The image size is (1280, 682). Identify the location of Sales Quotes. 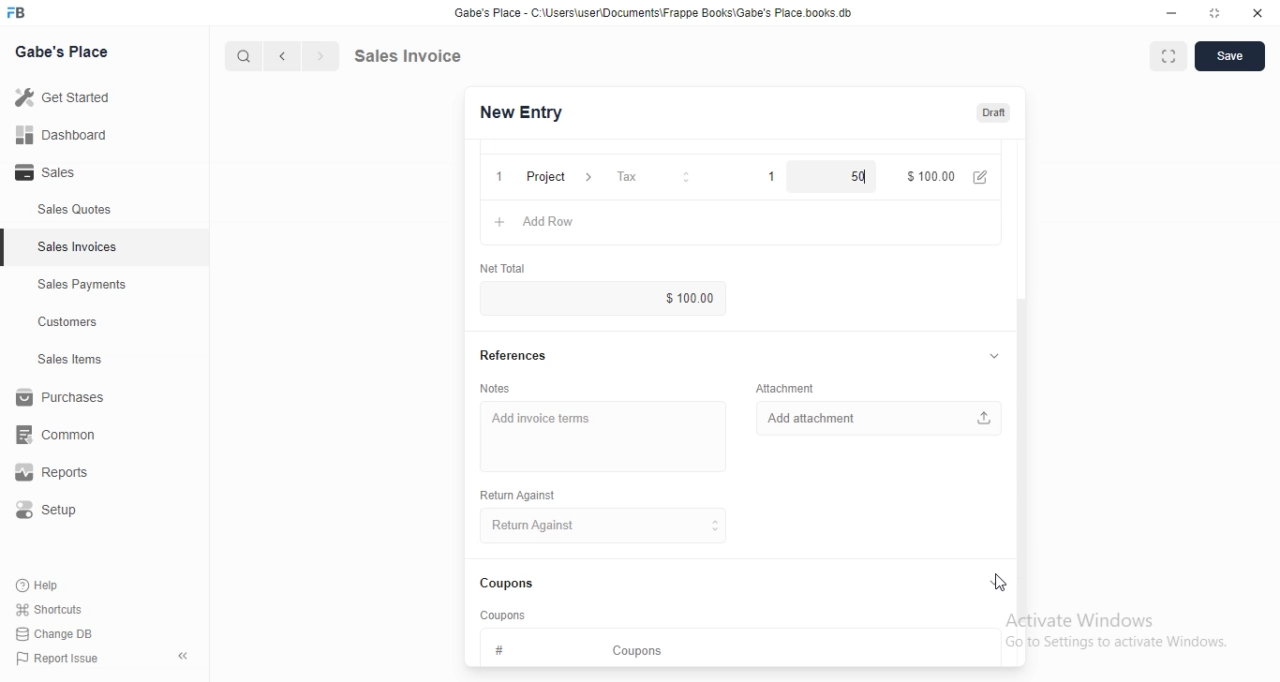
(64, 210).